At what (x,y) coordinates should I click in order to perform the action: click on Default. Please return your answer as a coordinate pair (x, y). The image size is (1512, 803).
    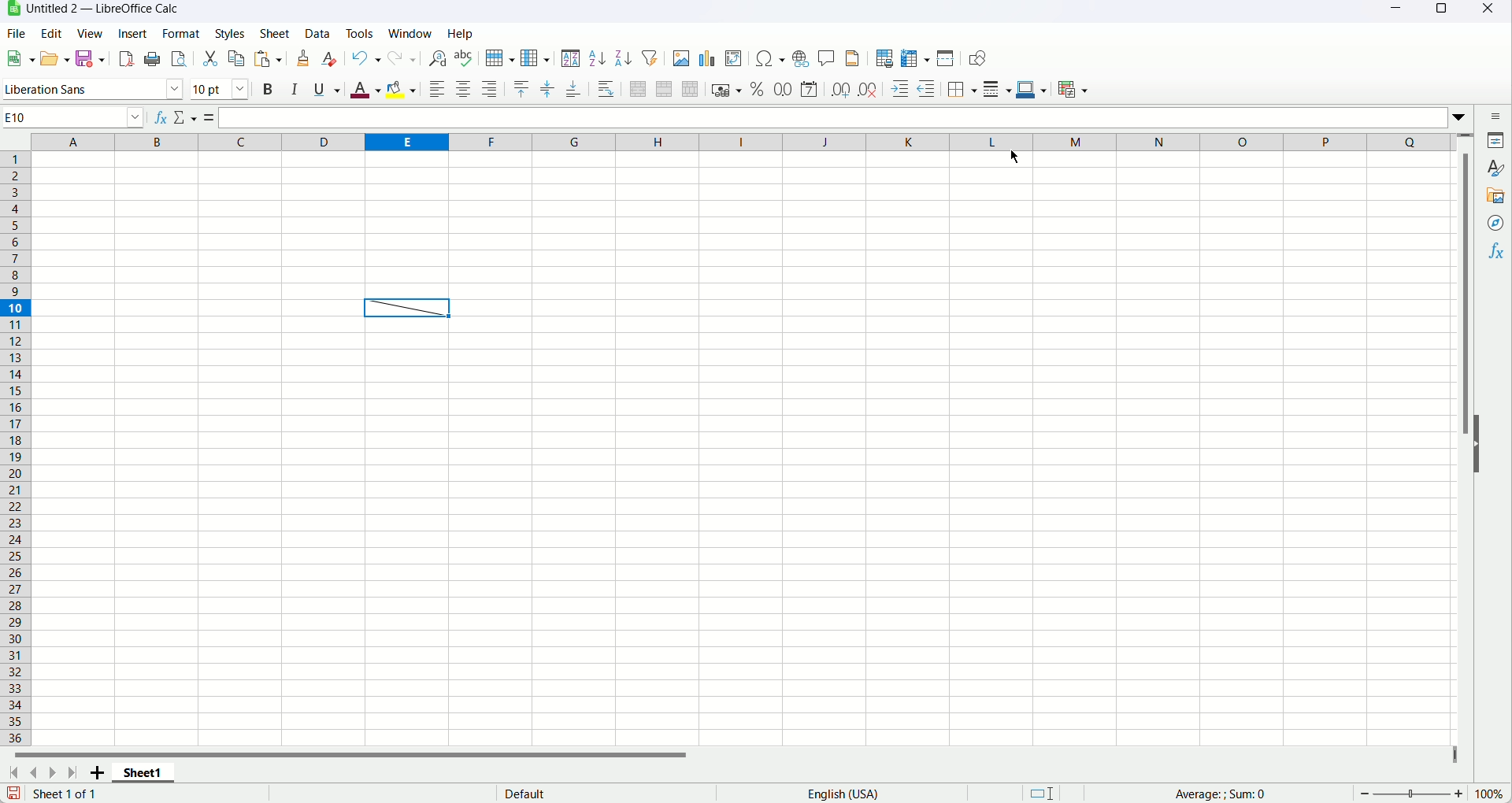
    Looking at the image, I should click on (587, 794).